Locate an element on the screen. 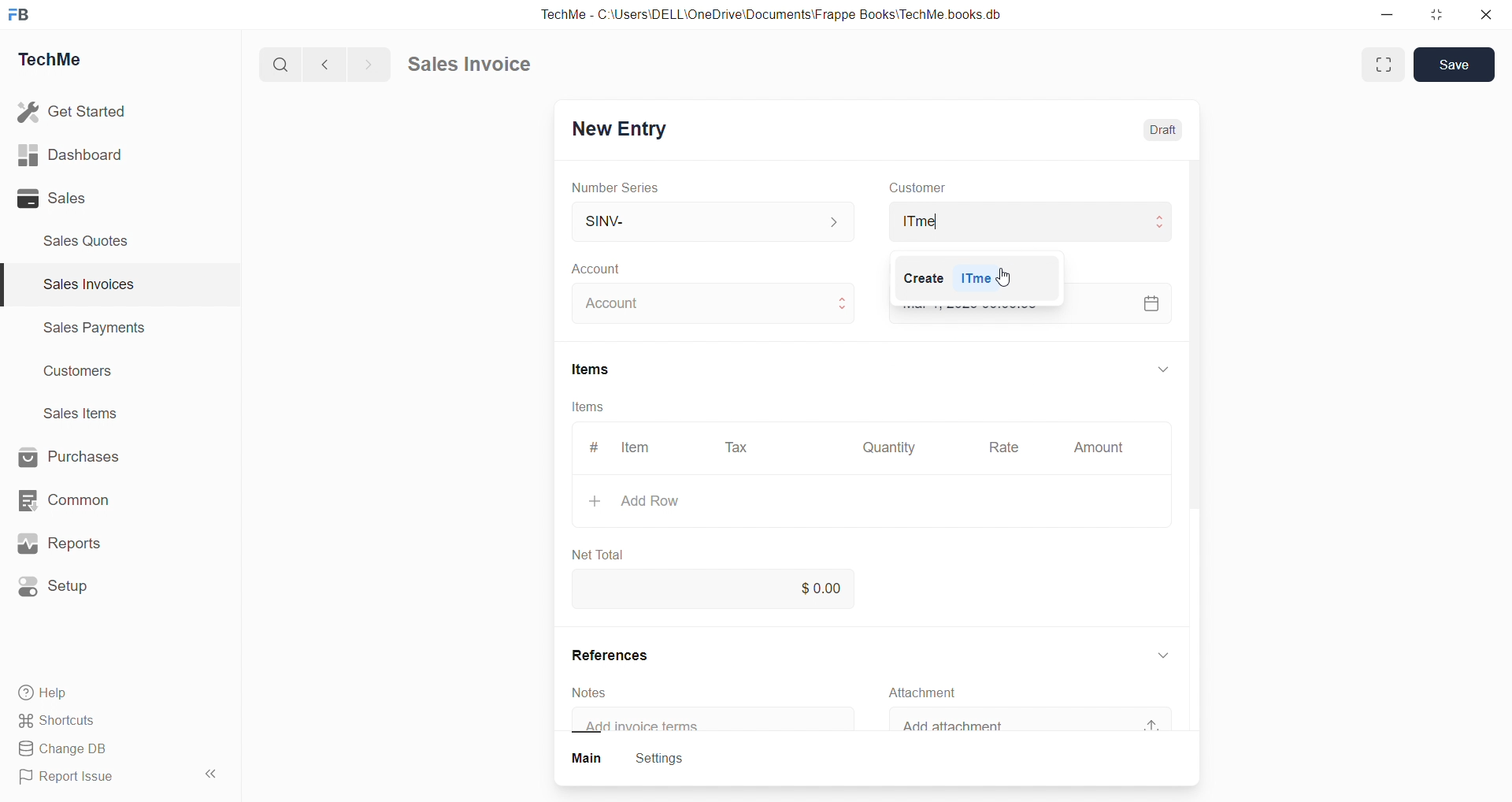 The width and height of the screenshot is (1512, 802). Amount is located at coordinates (1098, 448).